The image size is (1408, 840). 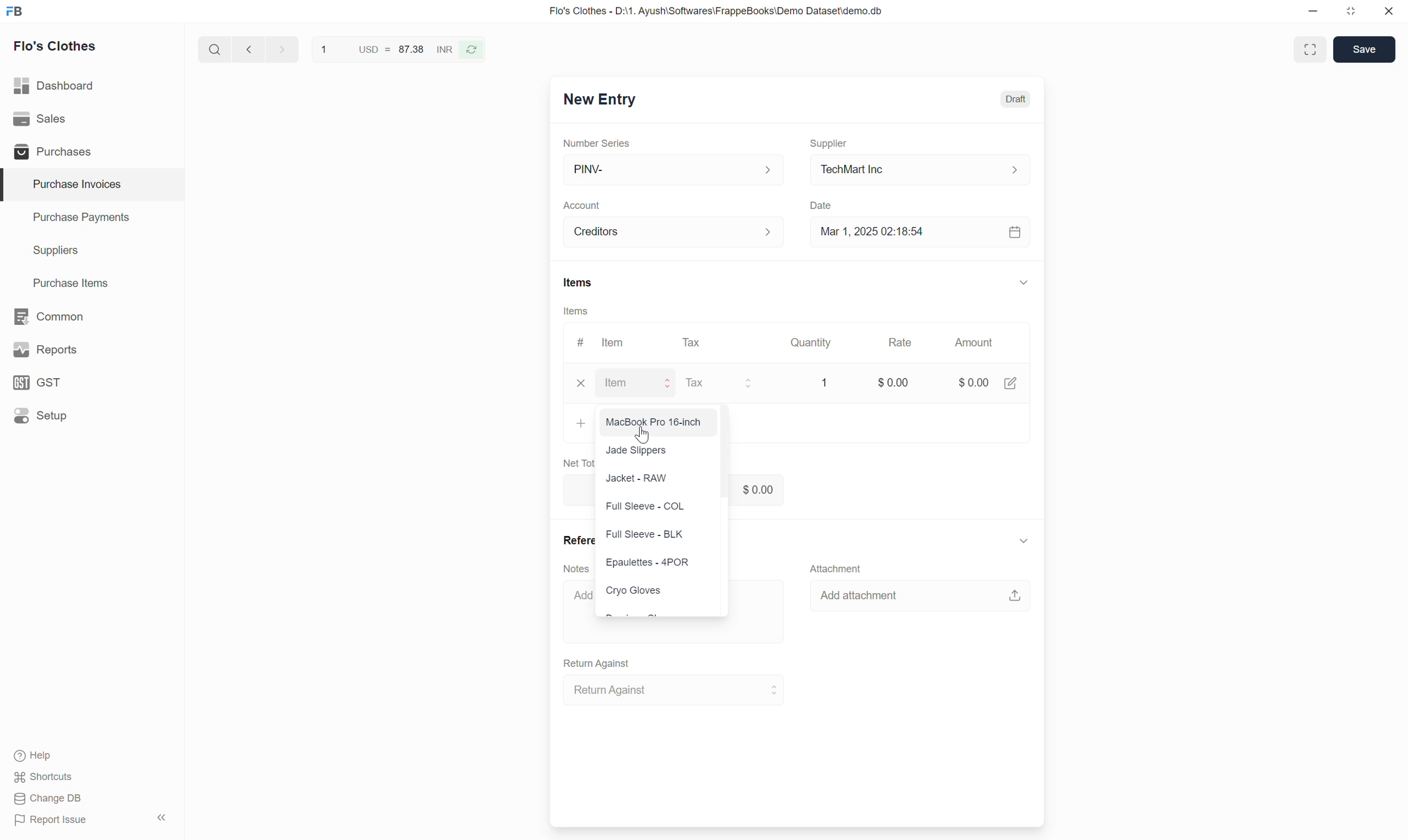 What do you see at coordinates (716, 10) in the screenshot?
I see `Flo's Clothes - D:\1. Ayush\Softwares\FrappeBooks\Demo Dataset\demo.db` at bounding box center [716, 10].